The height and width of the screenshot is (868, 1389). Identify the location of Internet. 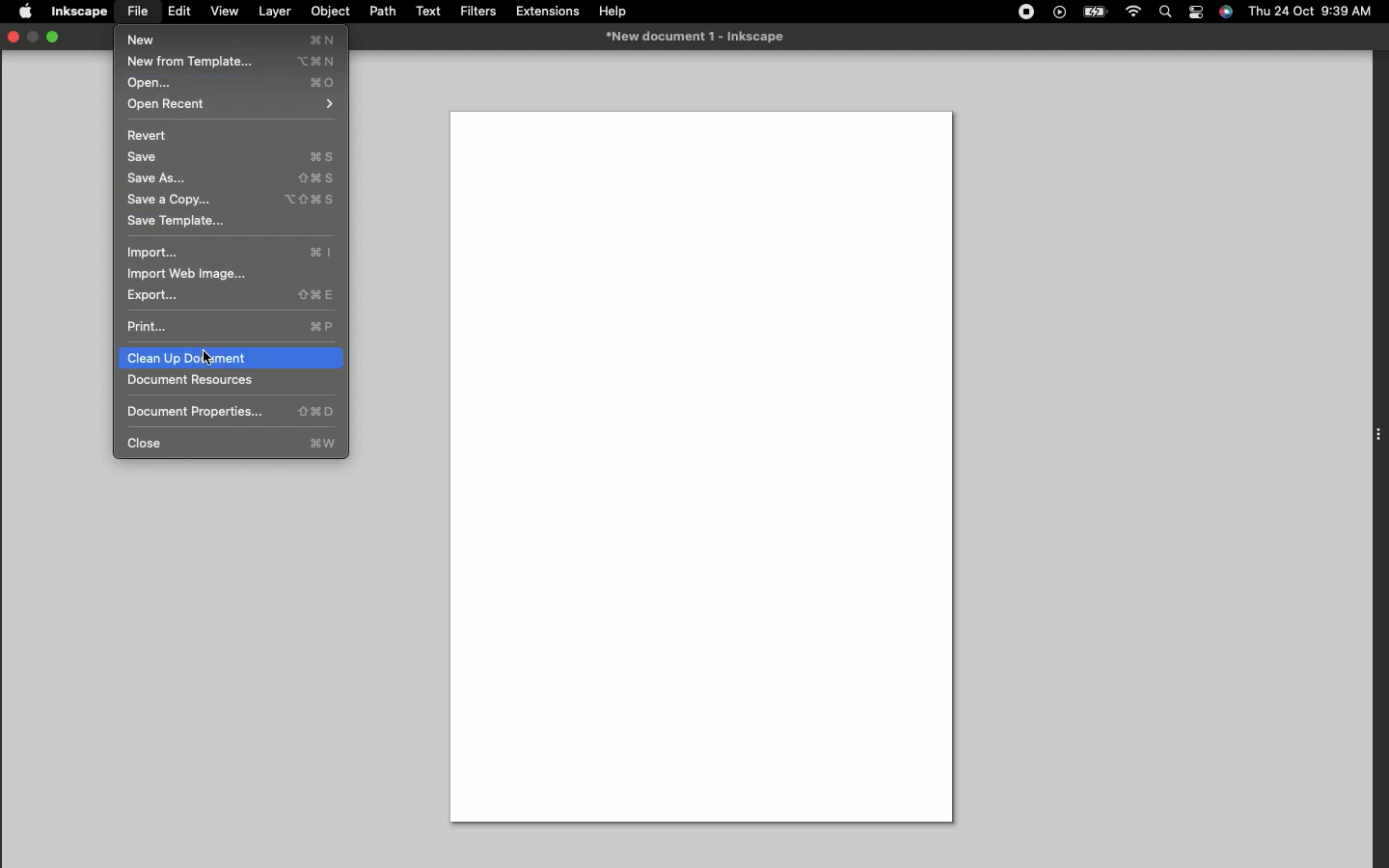
(1134, 12).